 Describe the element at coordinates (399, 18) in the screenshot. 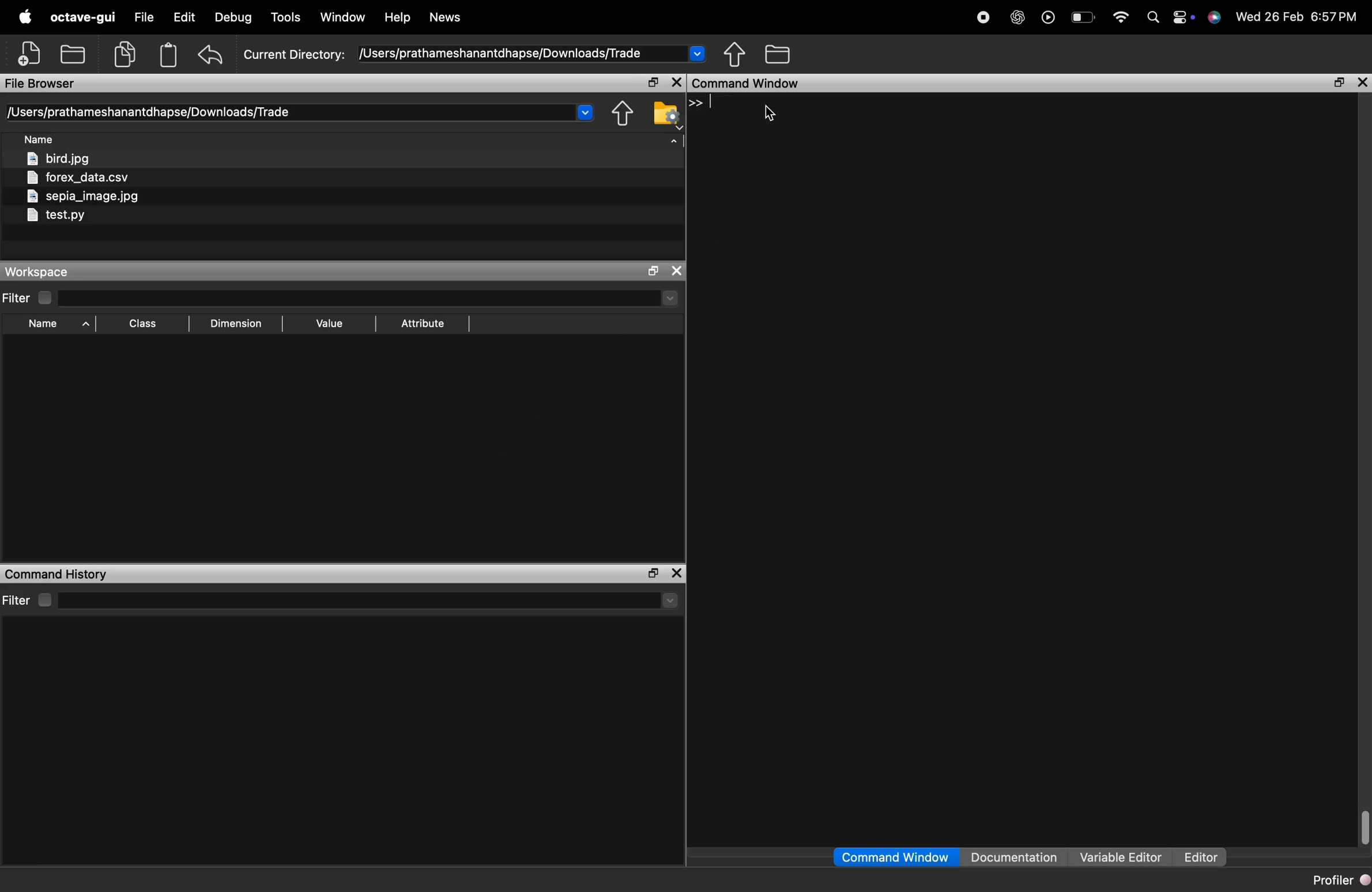

I see `help` at that location.